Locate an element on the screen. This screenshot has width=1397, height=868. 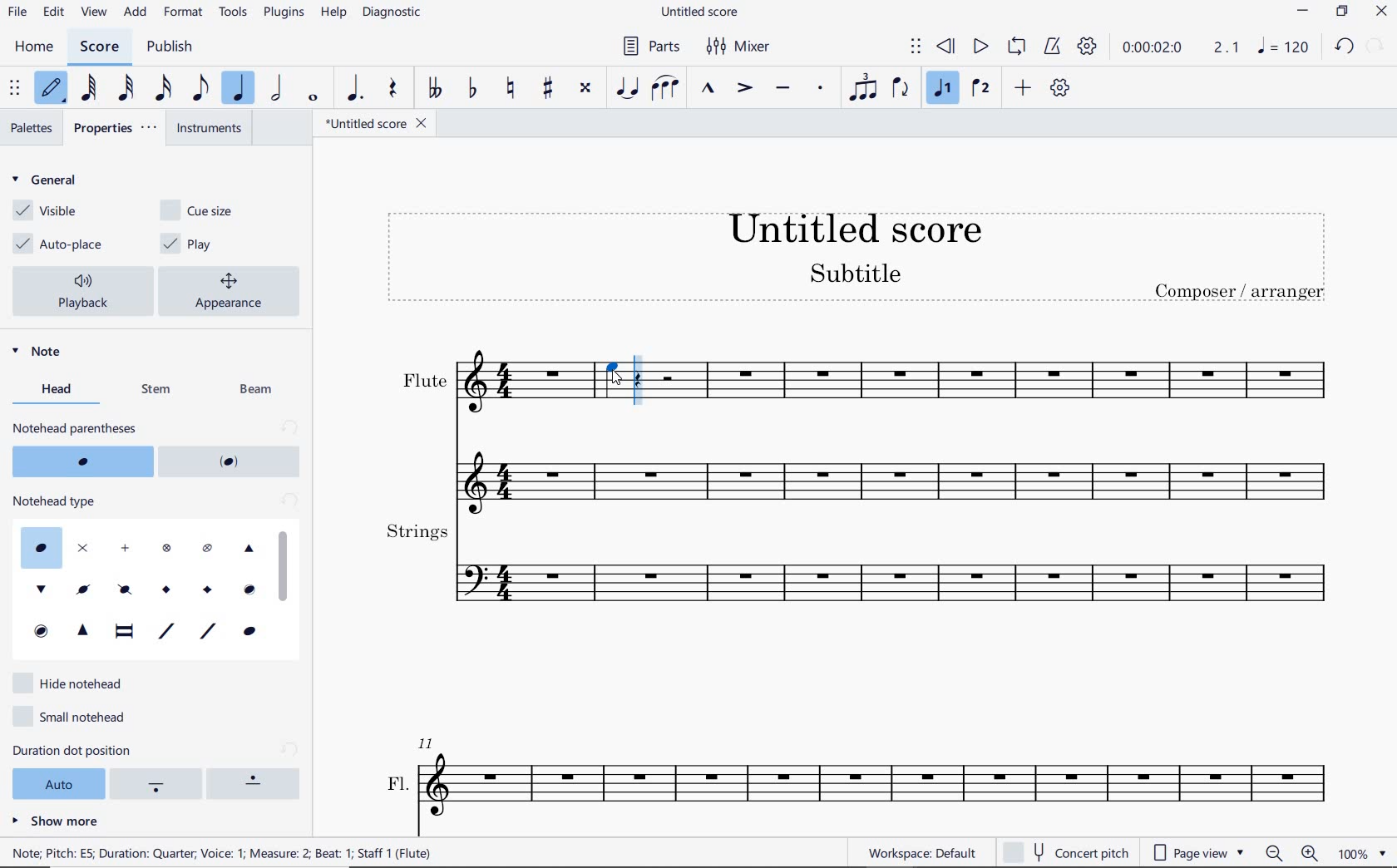
HALF NOTE is located at coordinates (279, 89).